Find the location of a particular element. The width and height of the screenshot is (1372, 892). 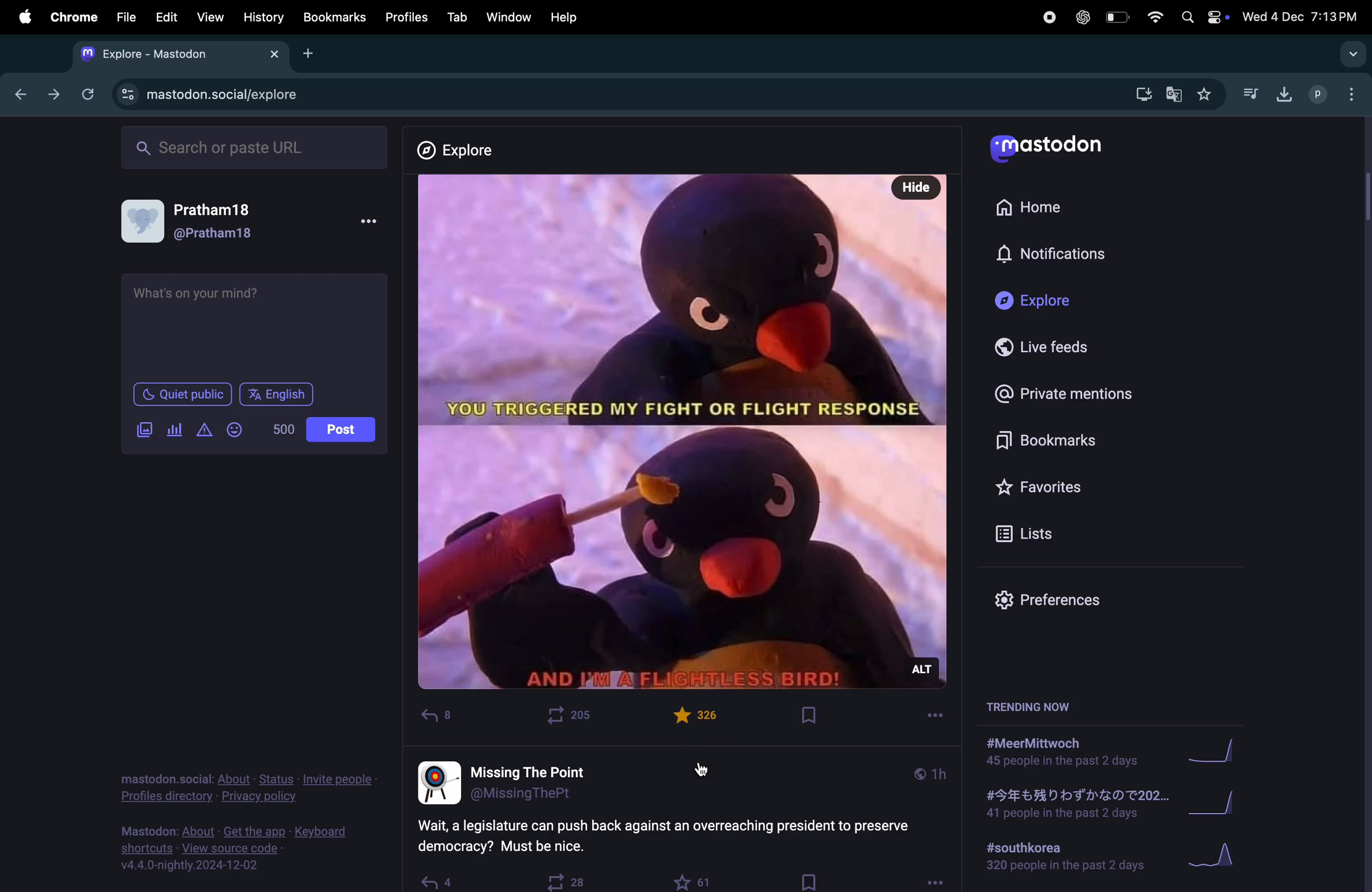

date and time is located at coordinates (1301, 14).